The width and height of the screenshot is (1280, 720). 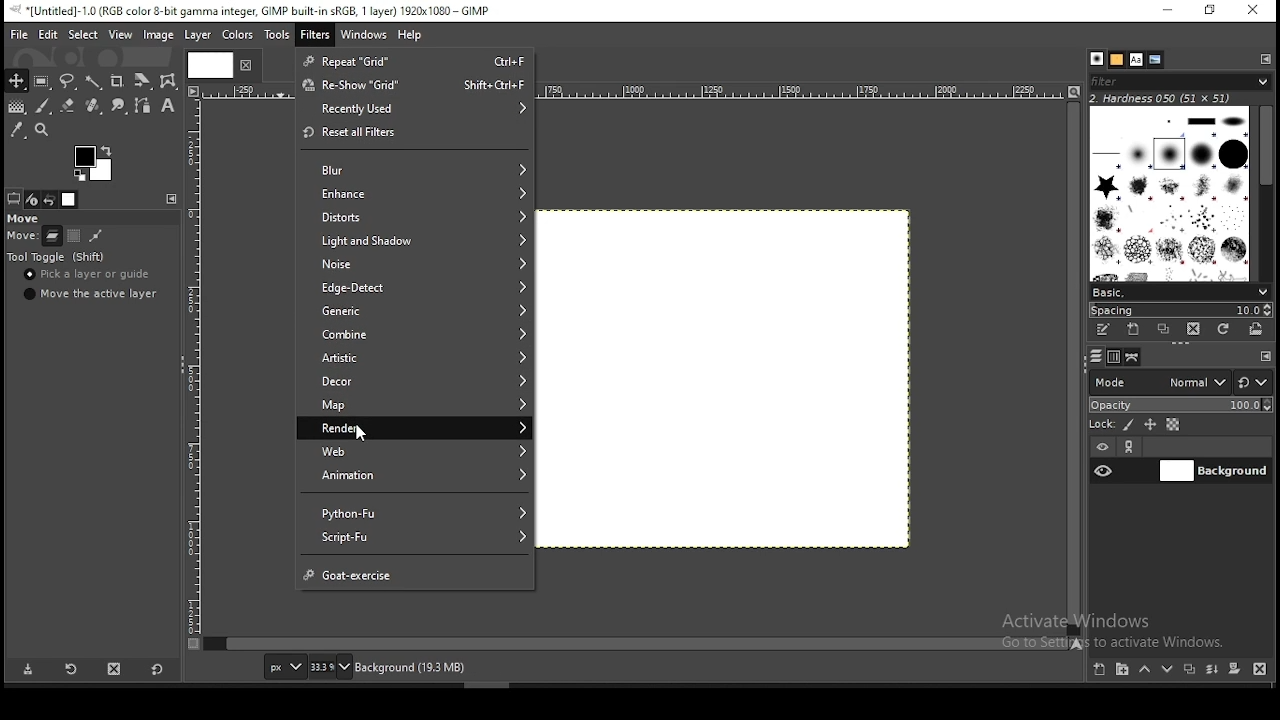 What do you see at coordinates (50, 200) in the screenshot?
I see `undo history` at bounding box center [50, 200].